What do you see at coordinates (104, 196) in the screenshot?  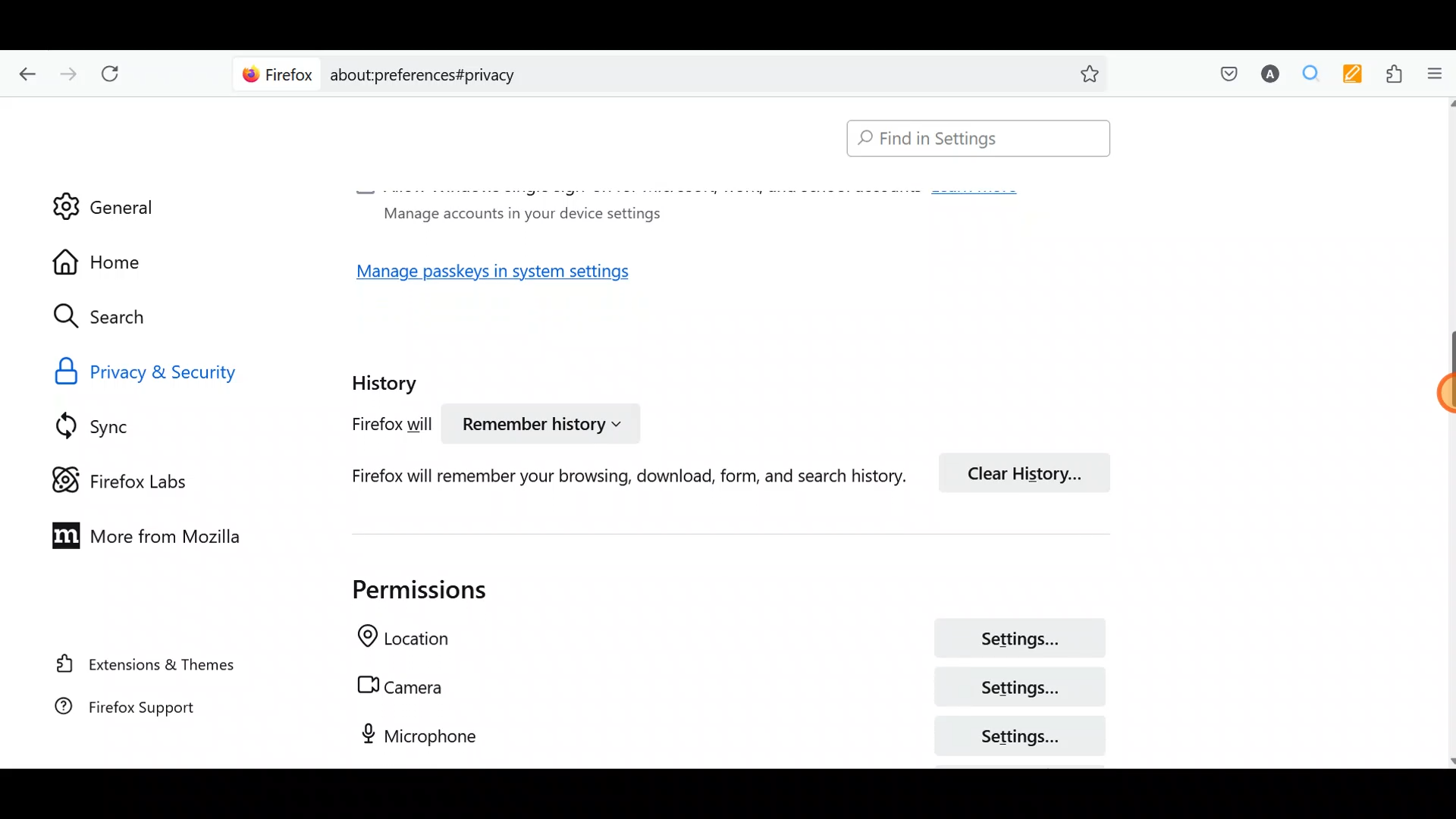 I see `General` at bounding box center [104, 196].